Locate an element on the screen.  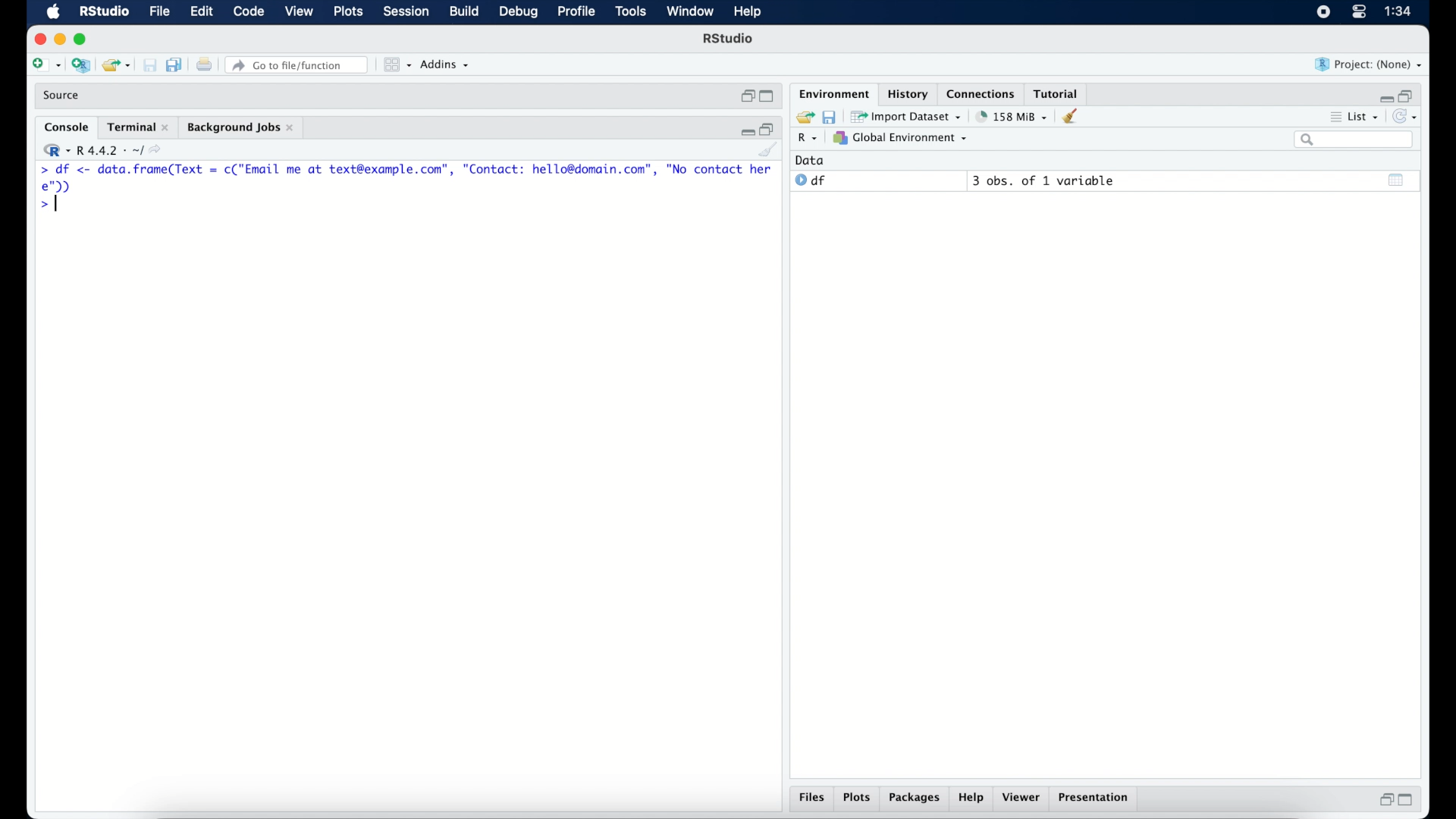
158 MB is located at coordinates (1013, 116).